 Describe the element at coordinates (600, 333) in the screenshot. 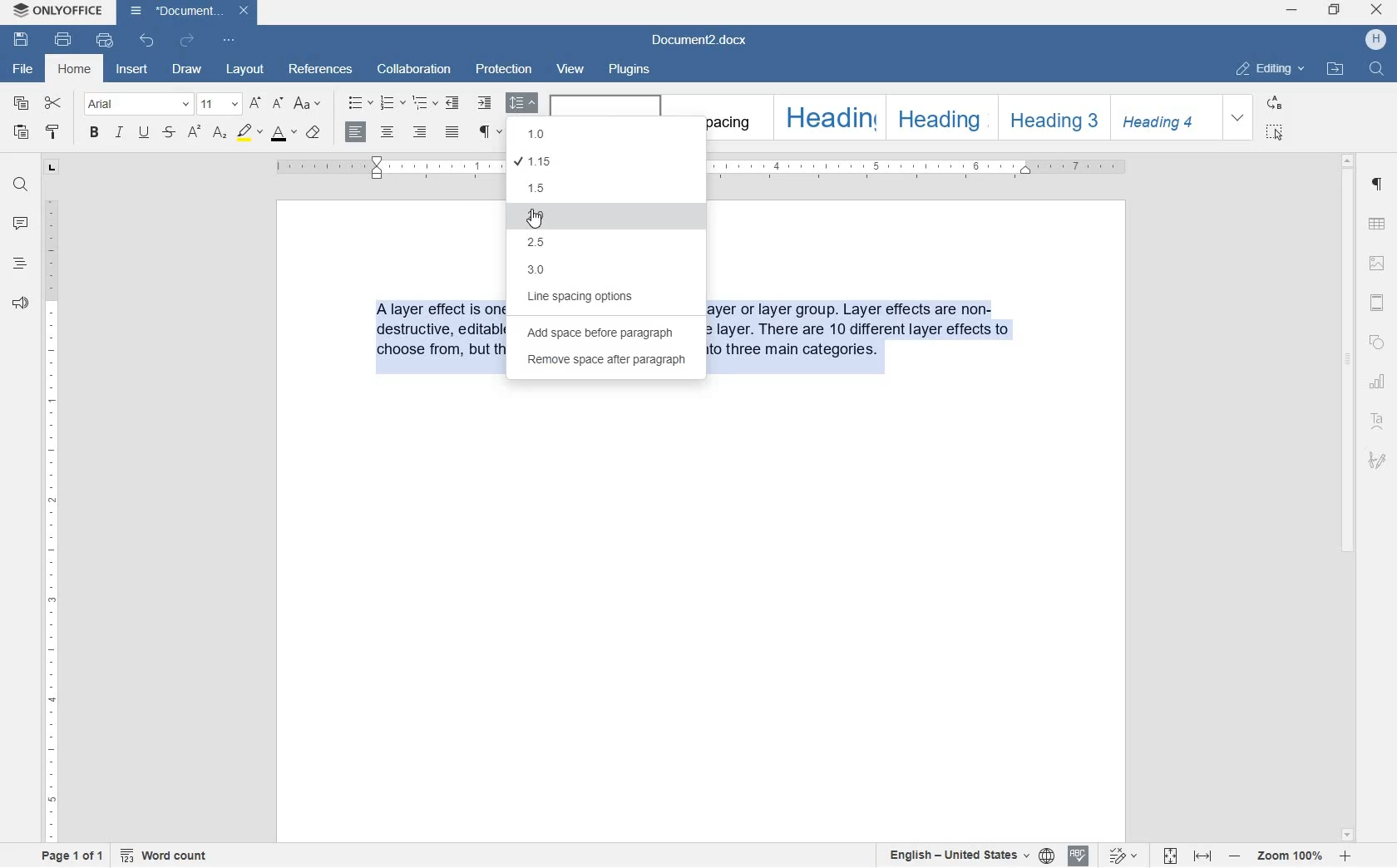

I see `add space before paragraph` at that location.